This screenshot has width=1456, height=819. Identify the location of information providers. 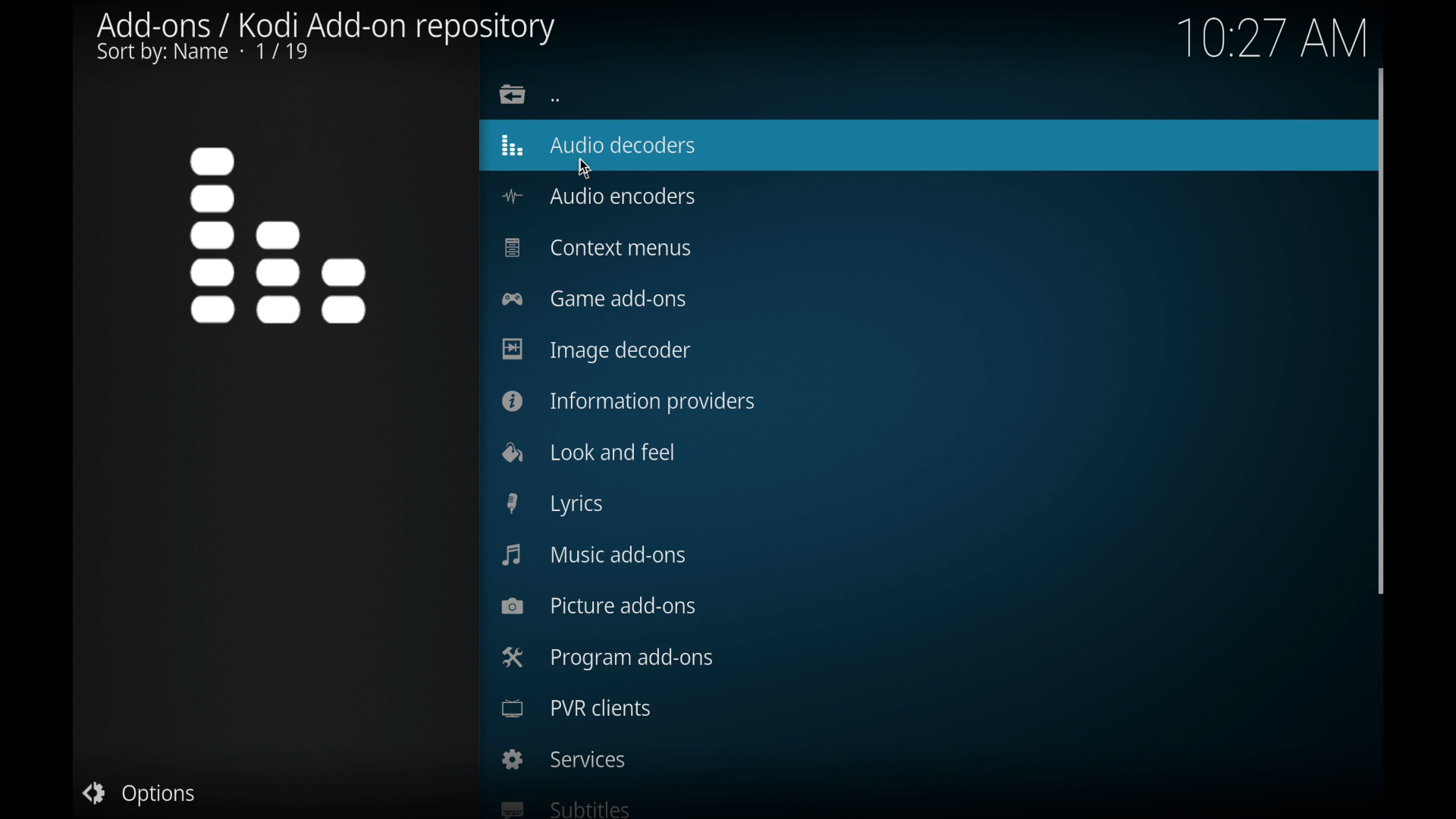
(629, 402).